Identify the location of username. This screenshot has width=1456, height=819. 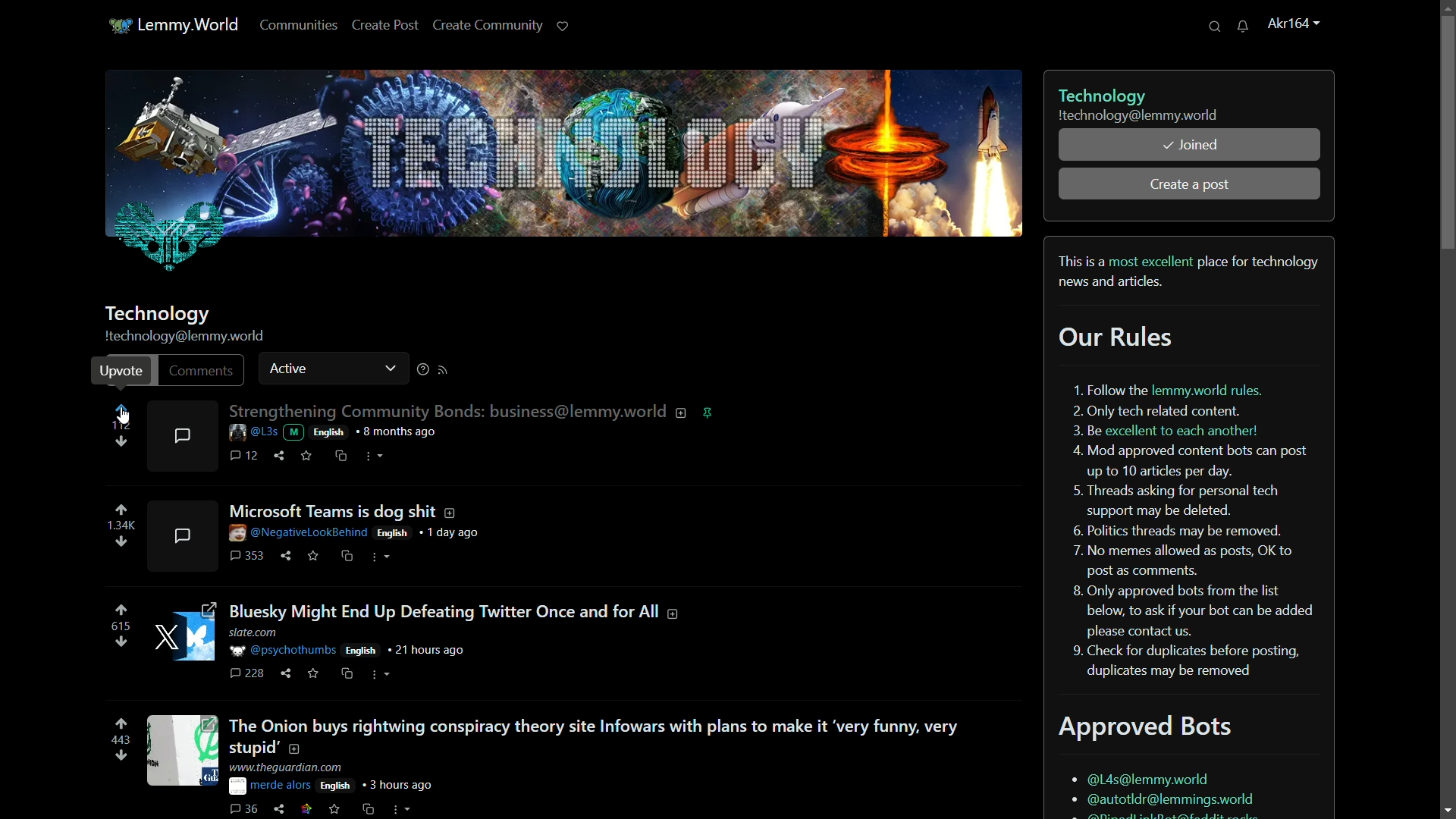
(1295, 24).